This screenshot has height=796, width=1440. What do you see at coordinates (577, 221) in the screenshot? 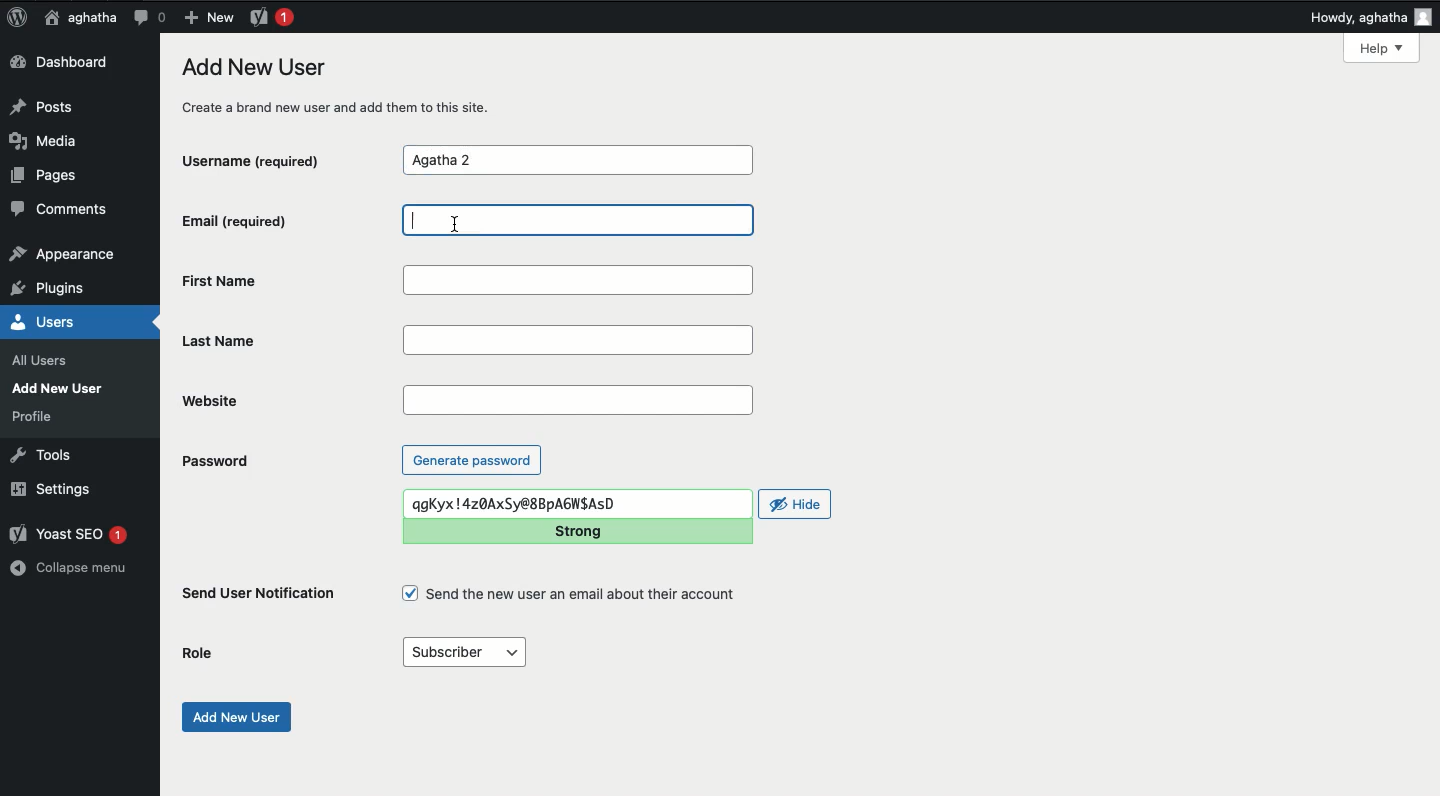
I see `Email` at bounding box center [577, 221].